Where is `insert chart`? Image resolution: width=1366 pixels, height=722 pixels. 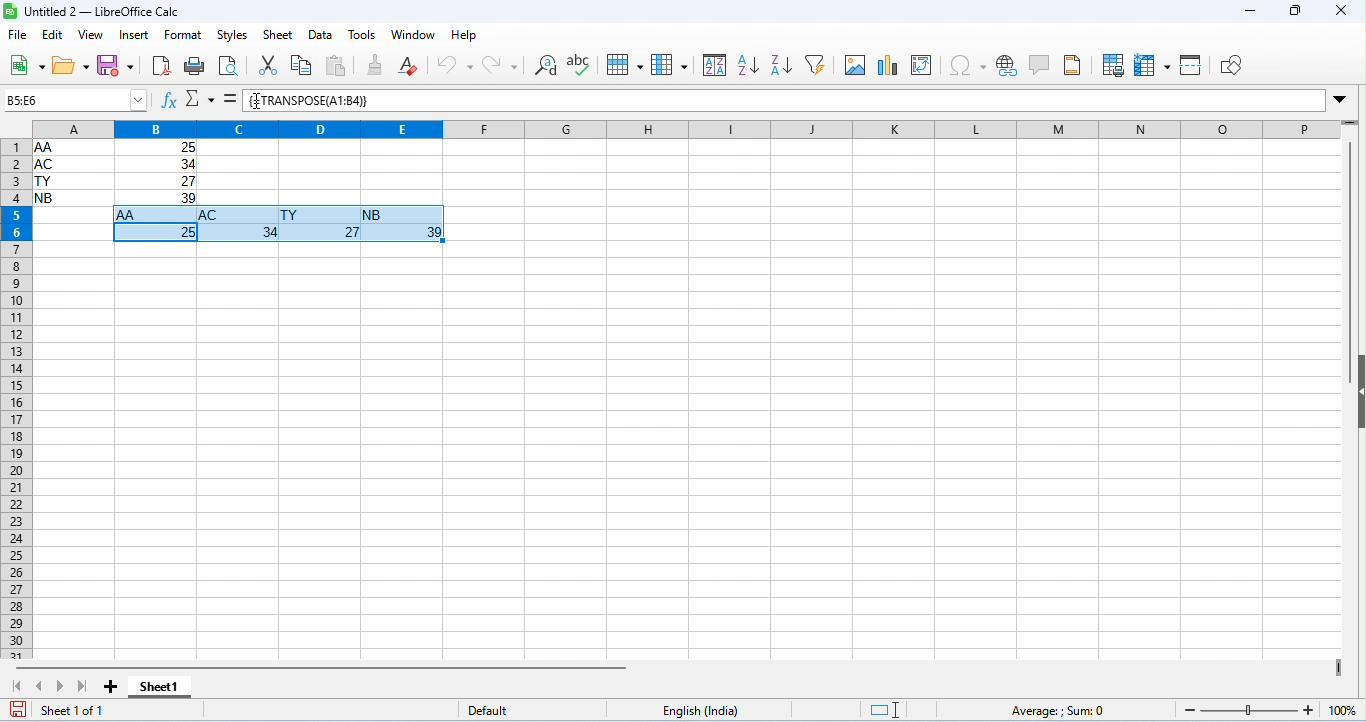 insert chart is located at coordinates (890, 64).